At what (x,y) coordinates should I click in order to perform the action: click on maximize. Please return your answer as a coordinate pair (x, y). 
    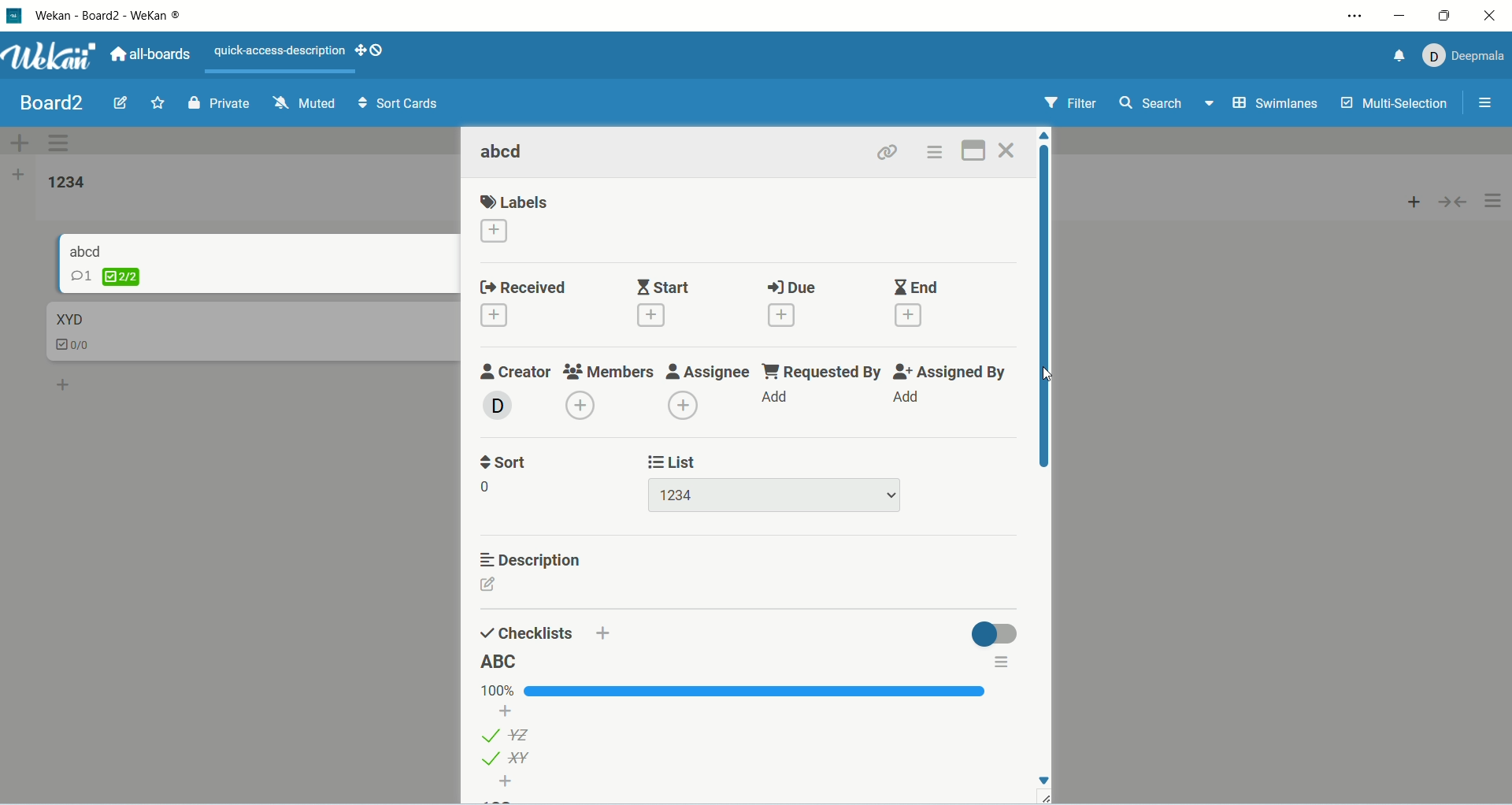
    Looking at the image, I should click on (1442, 16).